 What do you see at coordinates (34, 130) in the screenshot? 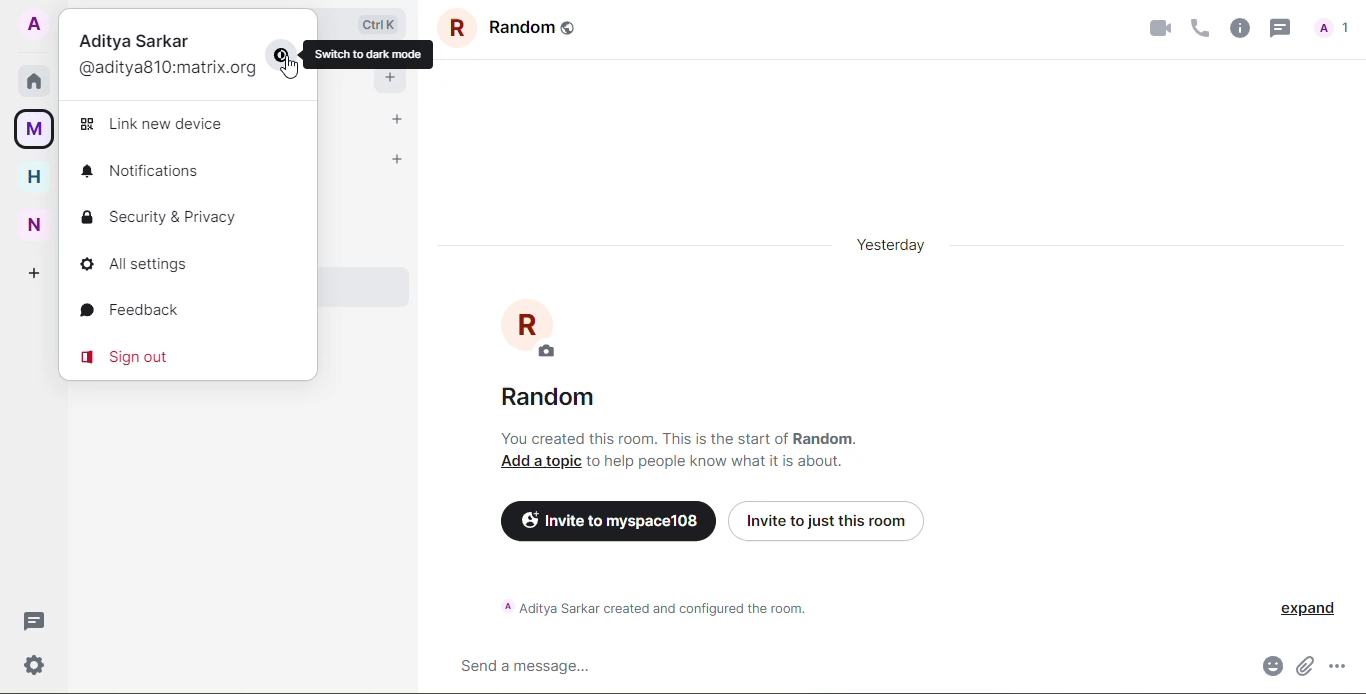
I see `myspace` at bounding box center [34, 130].